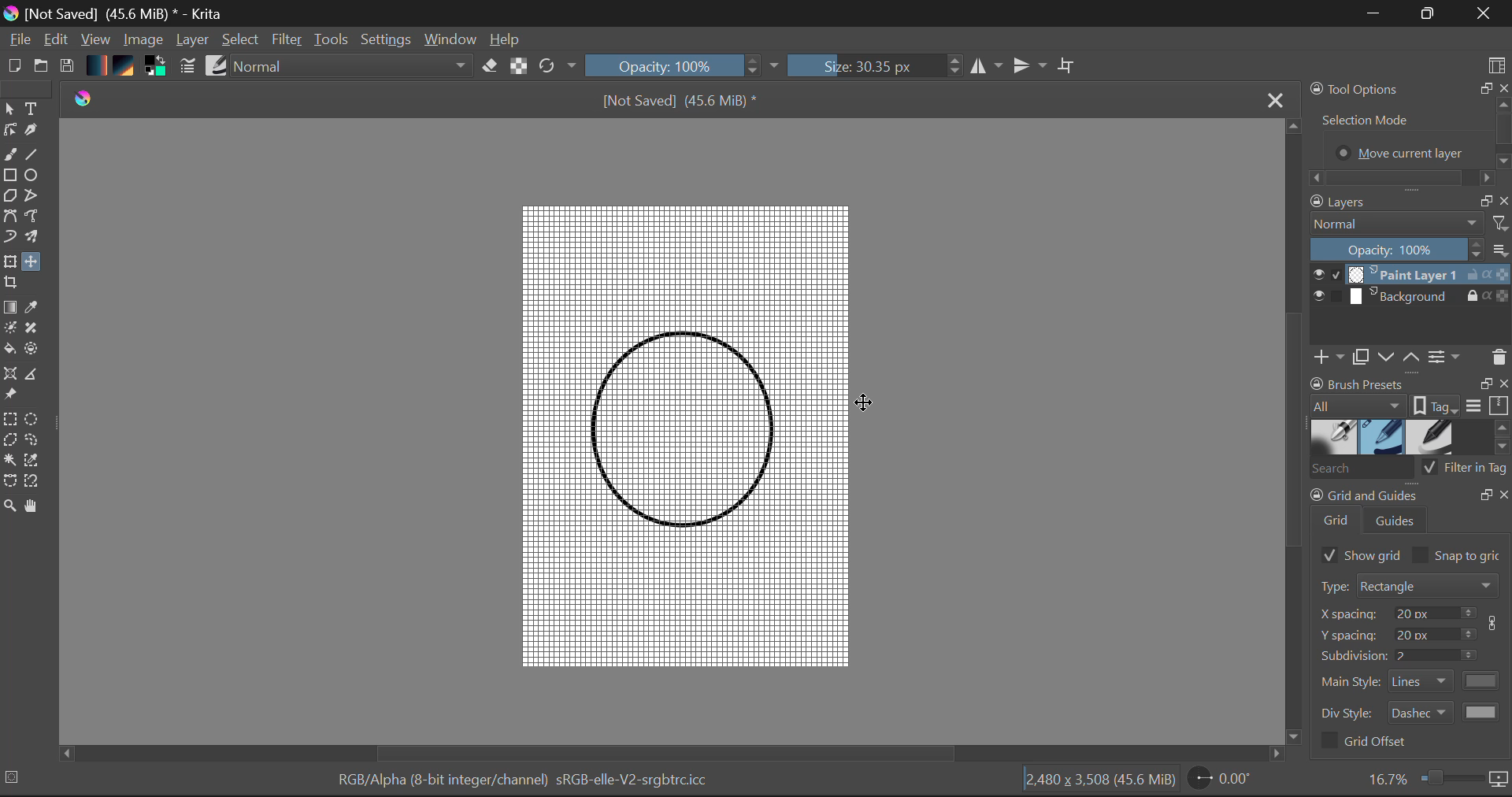  I want to click on Open, so click(41, 67).